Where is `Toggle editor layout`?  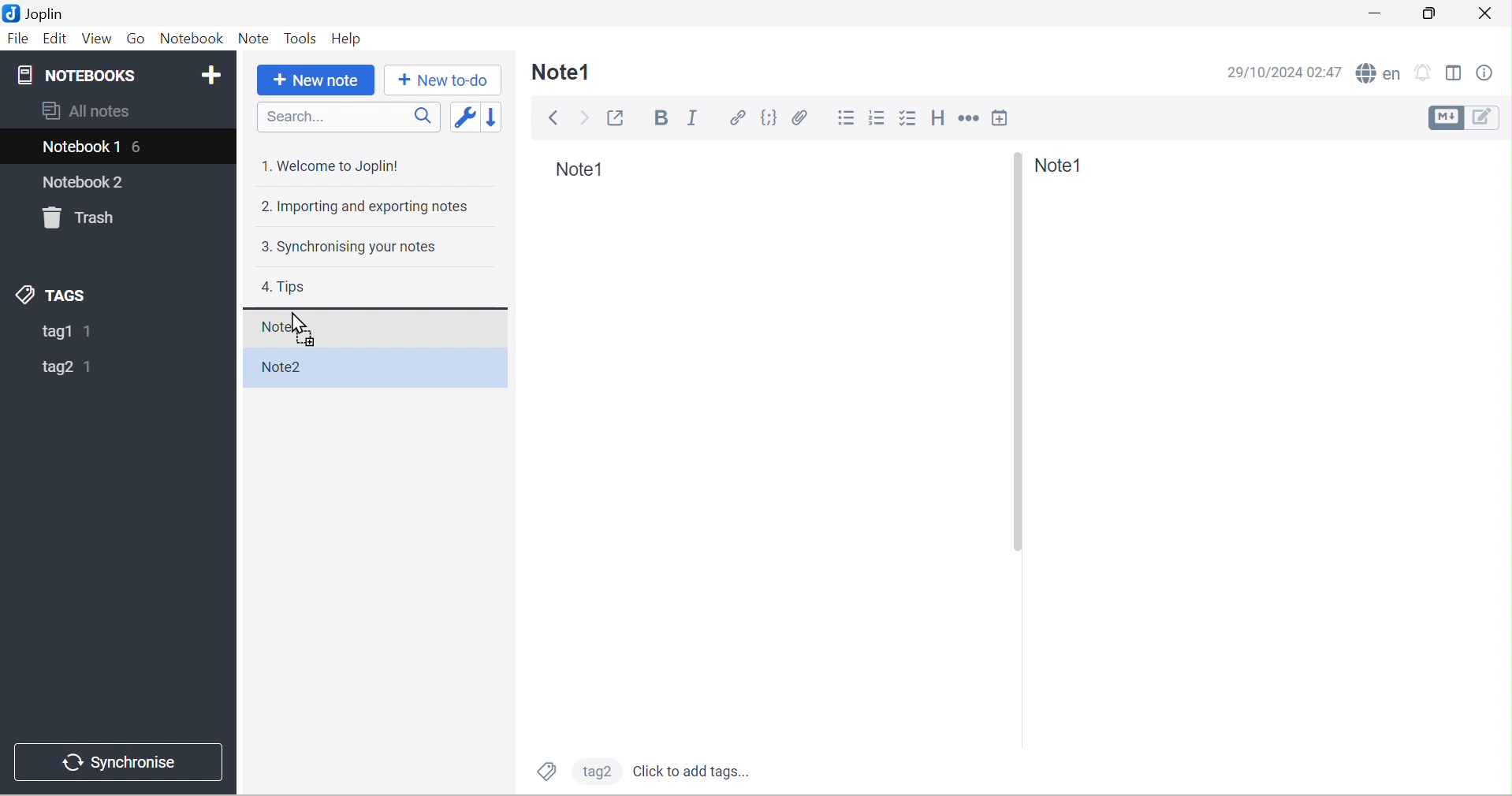
Toggle editor layout is located at coordinates (1455, 70).